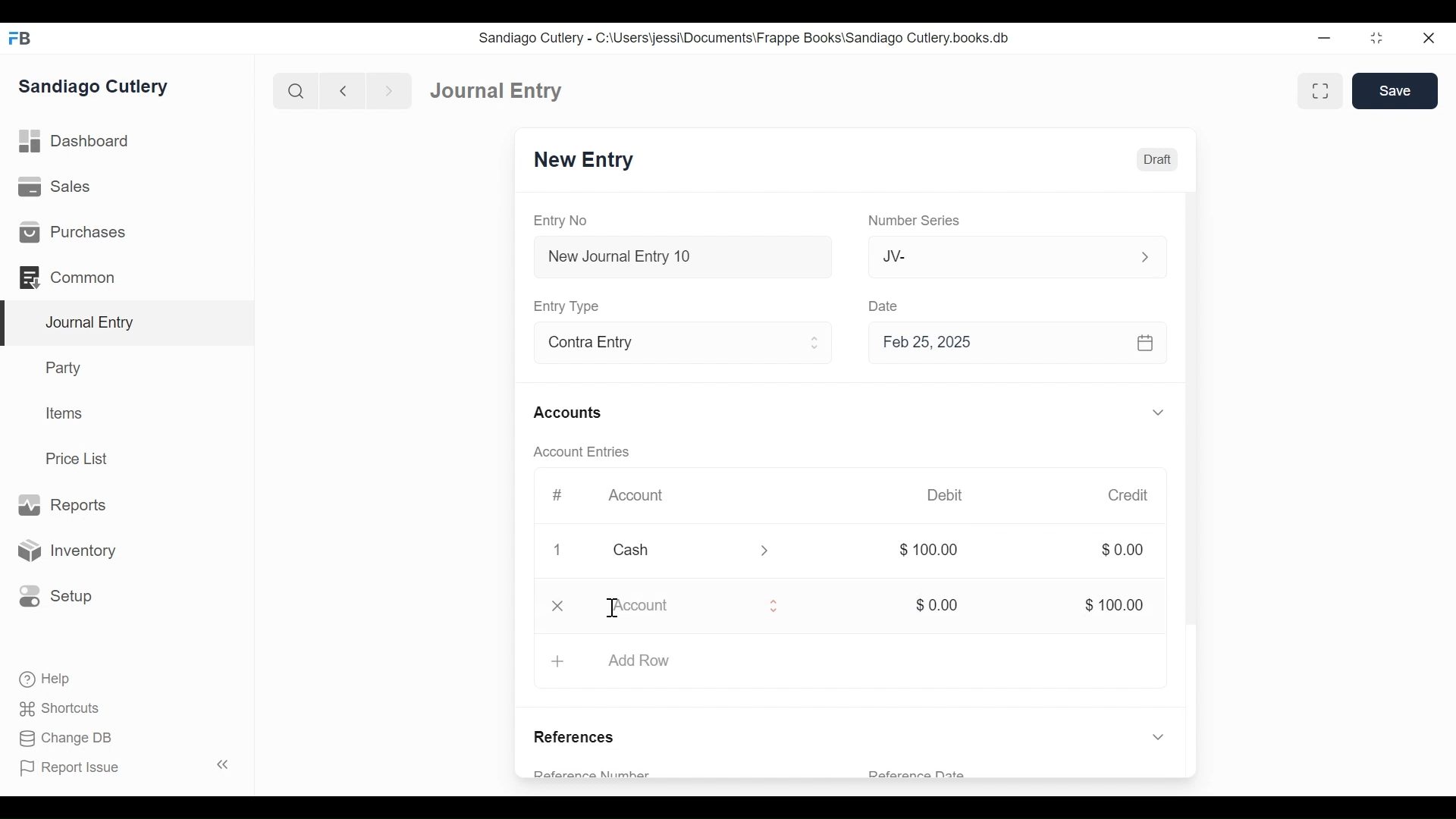 The height and width of the screenshot is (819, 1456). I want to click on Sales, so click(53, 188).